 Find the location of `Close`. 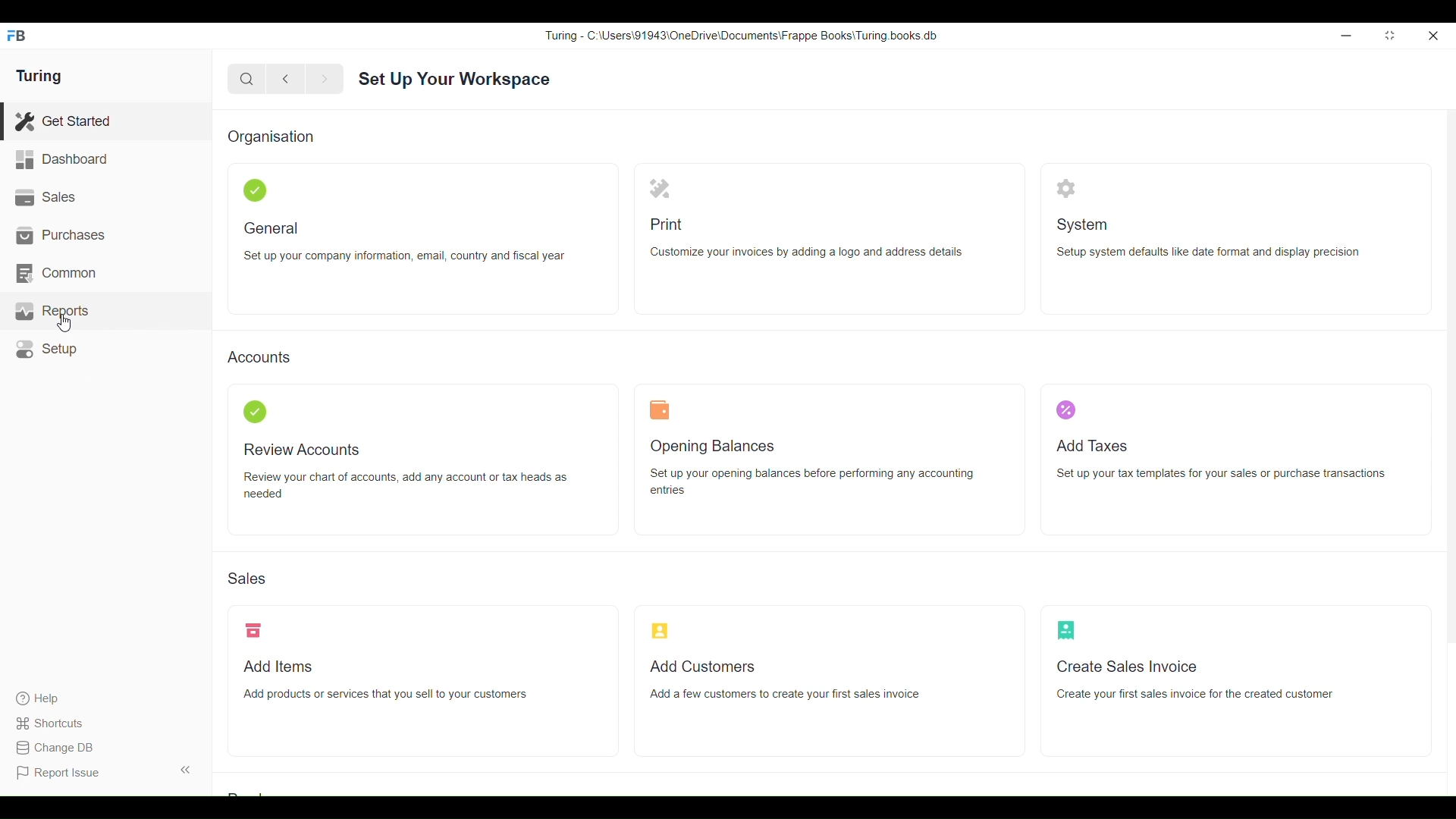

Close is located at coordinates (1432, 36).